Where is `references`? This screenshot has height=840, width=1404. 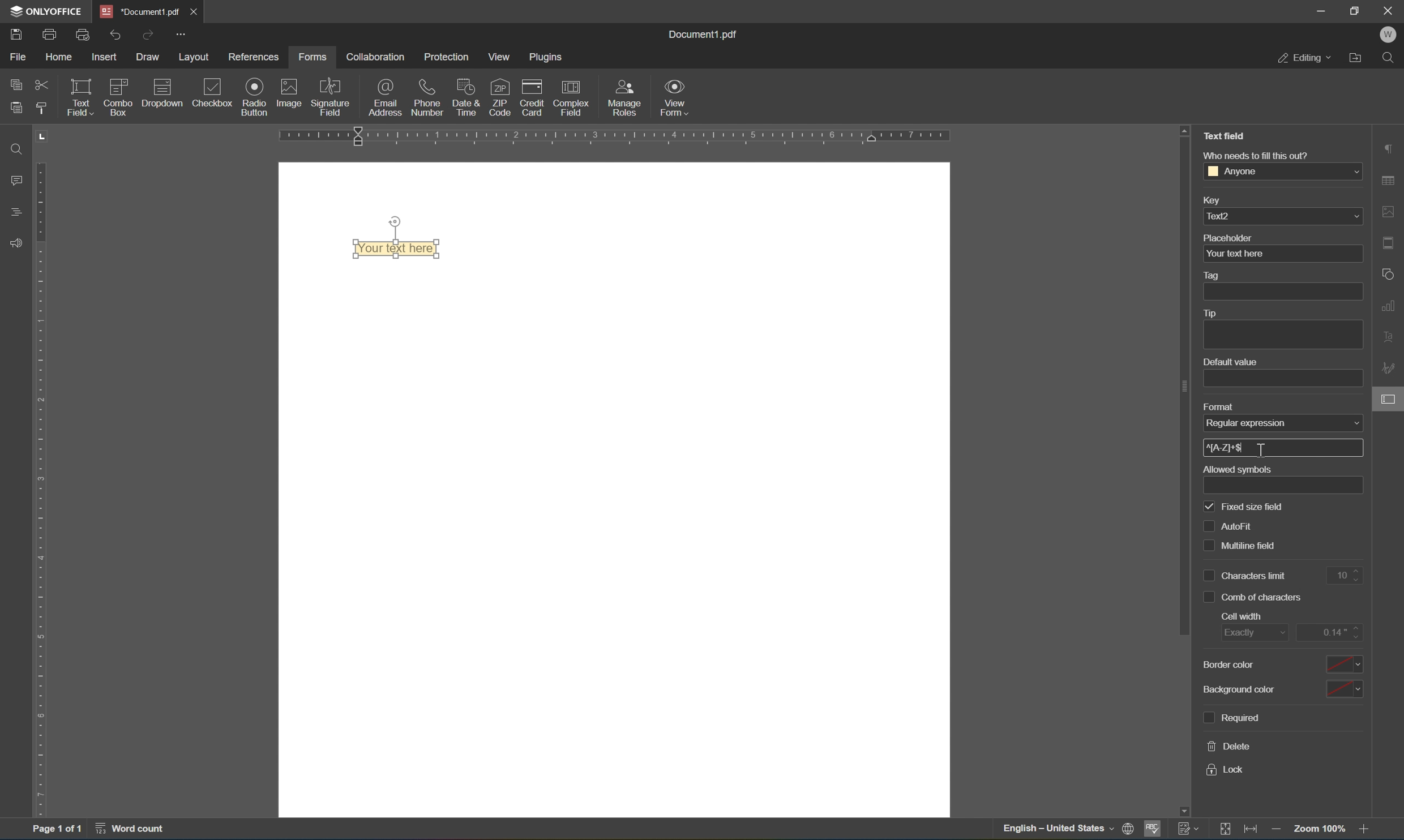
references is located at coordinates (256, 57).